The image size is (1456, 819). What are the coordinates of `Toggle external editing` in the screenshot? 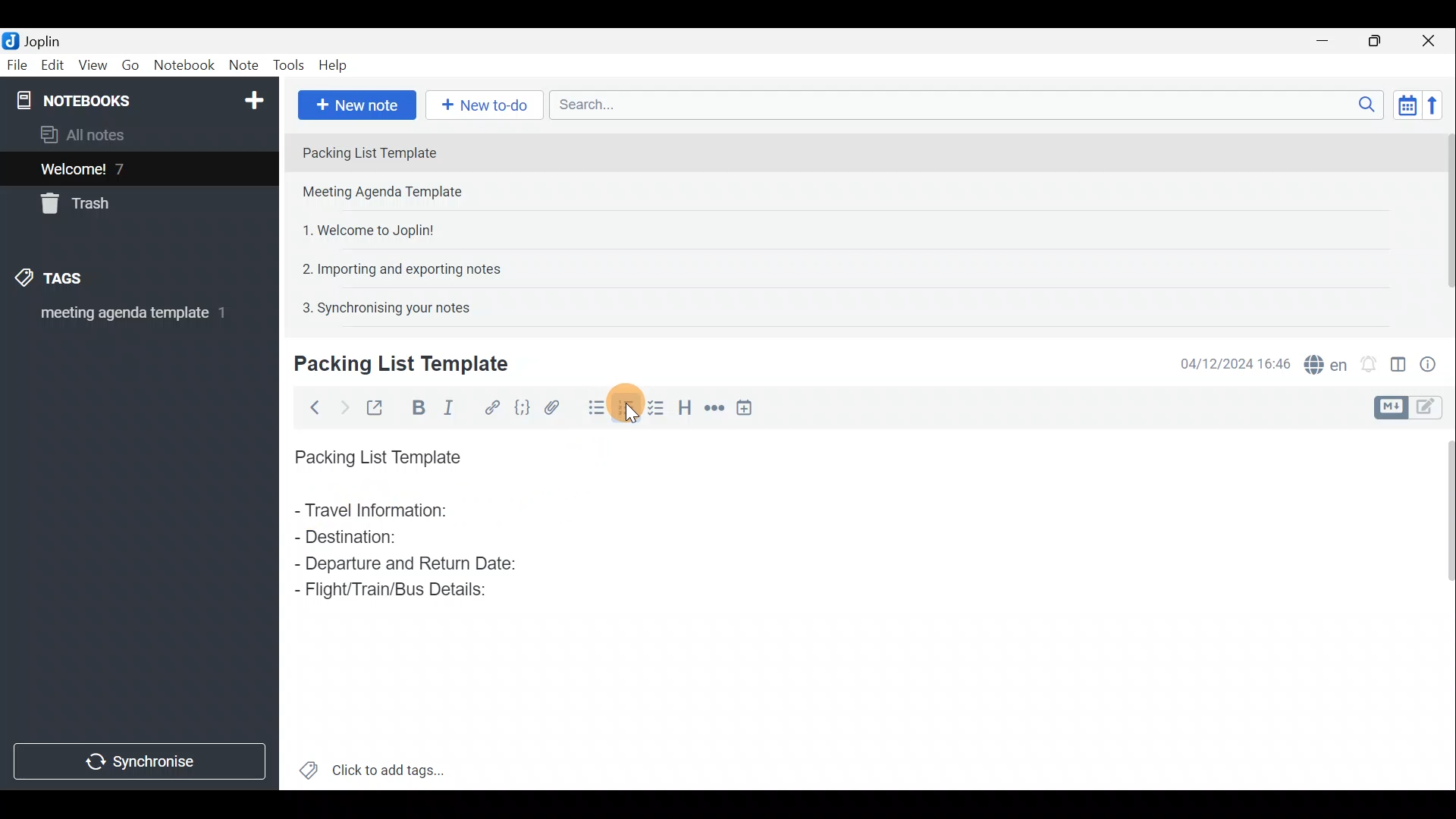 It's located at (376, 406).